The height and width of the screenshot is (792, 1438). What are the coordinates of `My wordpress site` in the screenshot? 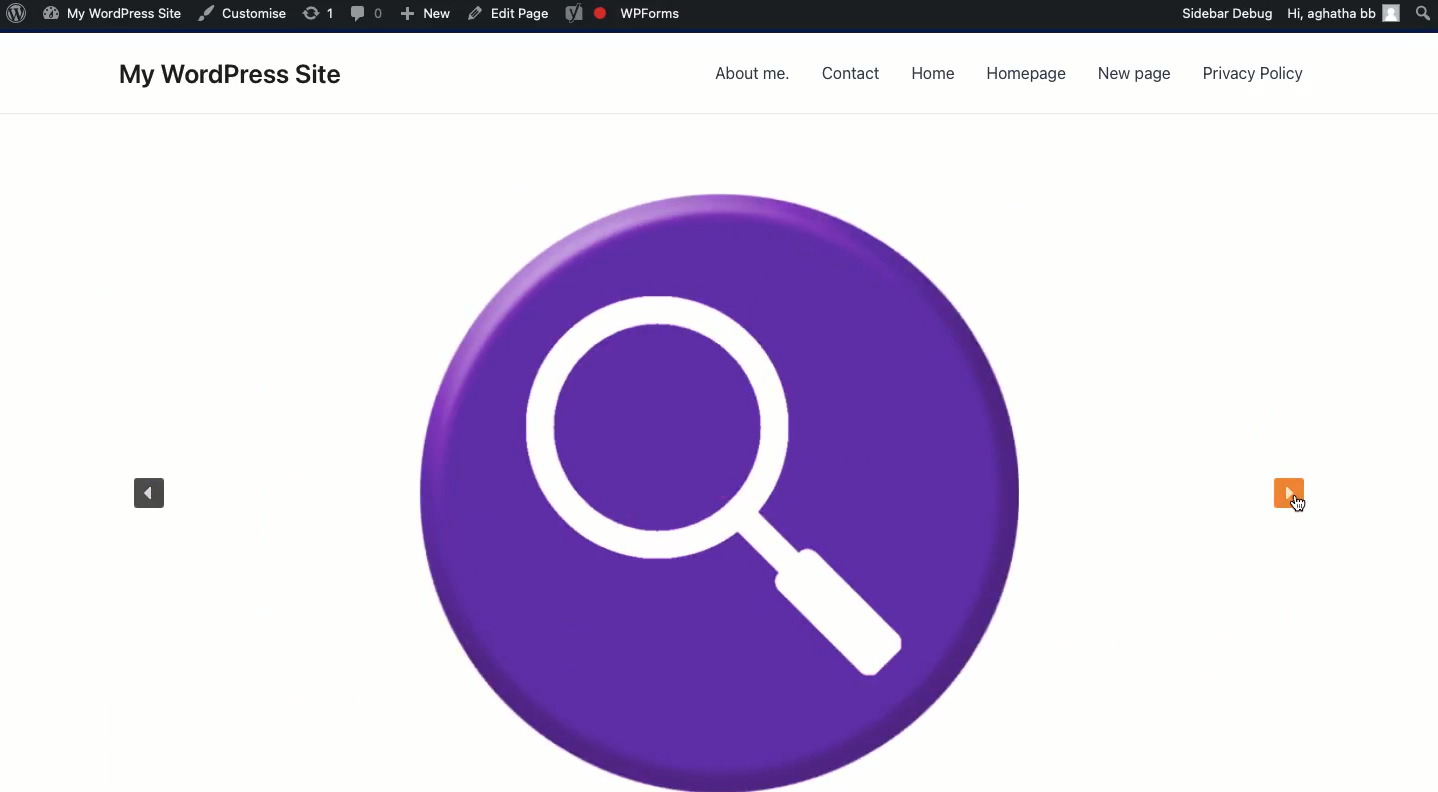 It's located at (240, 77).